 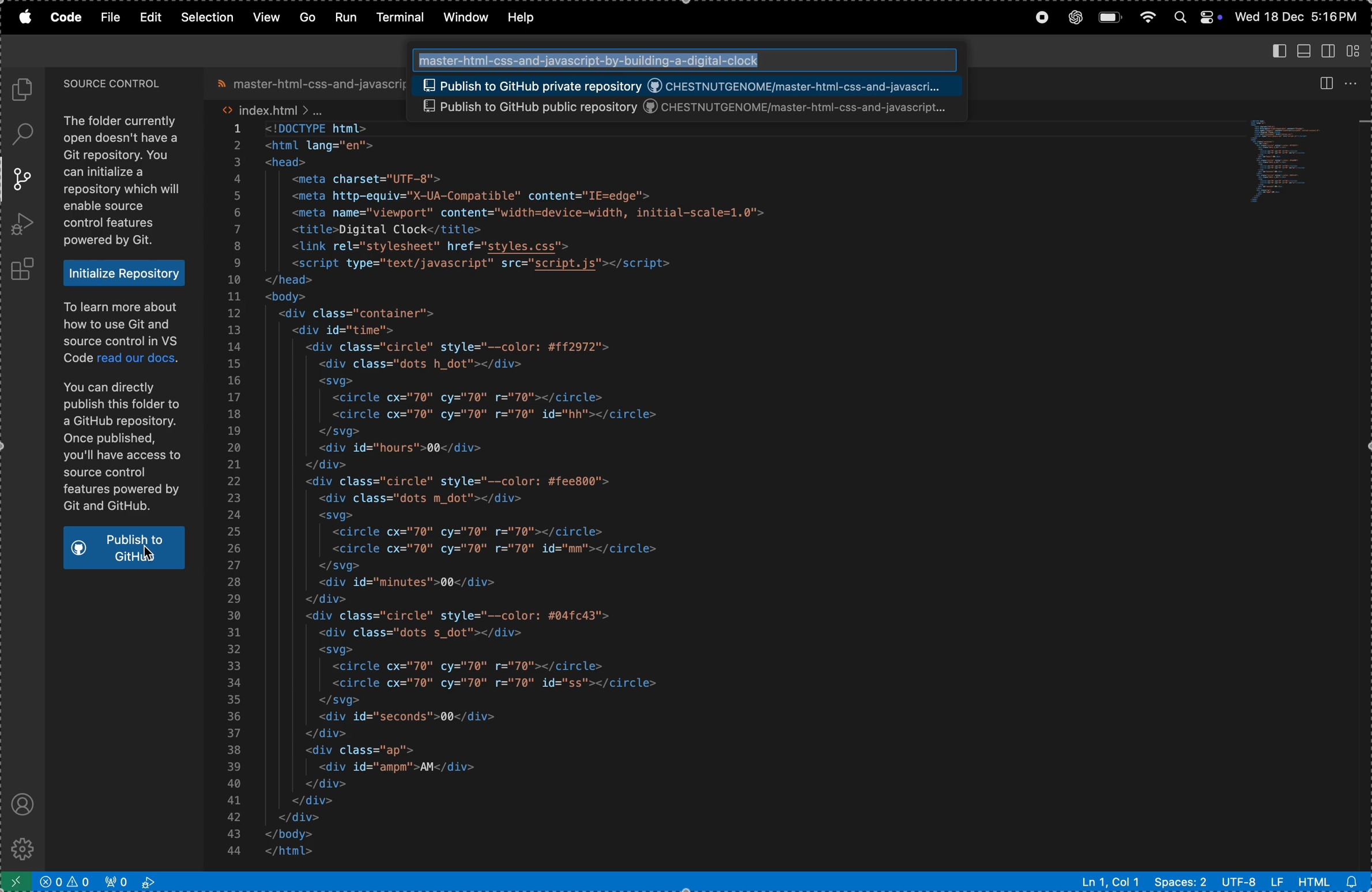 What do you see at coordinates (342, 515) in the screenshot?
I see `<svg>` at bounding box center [342, 515].